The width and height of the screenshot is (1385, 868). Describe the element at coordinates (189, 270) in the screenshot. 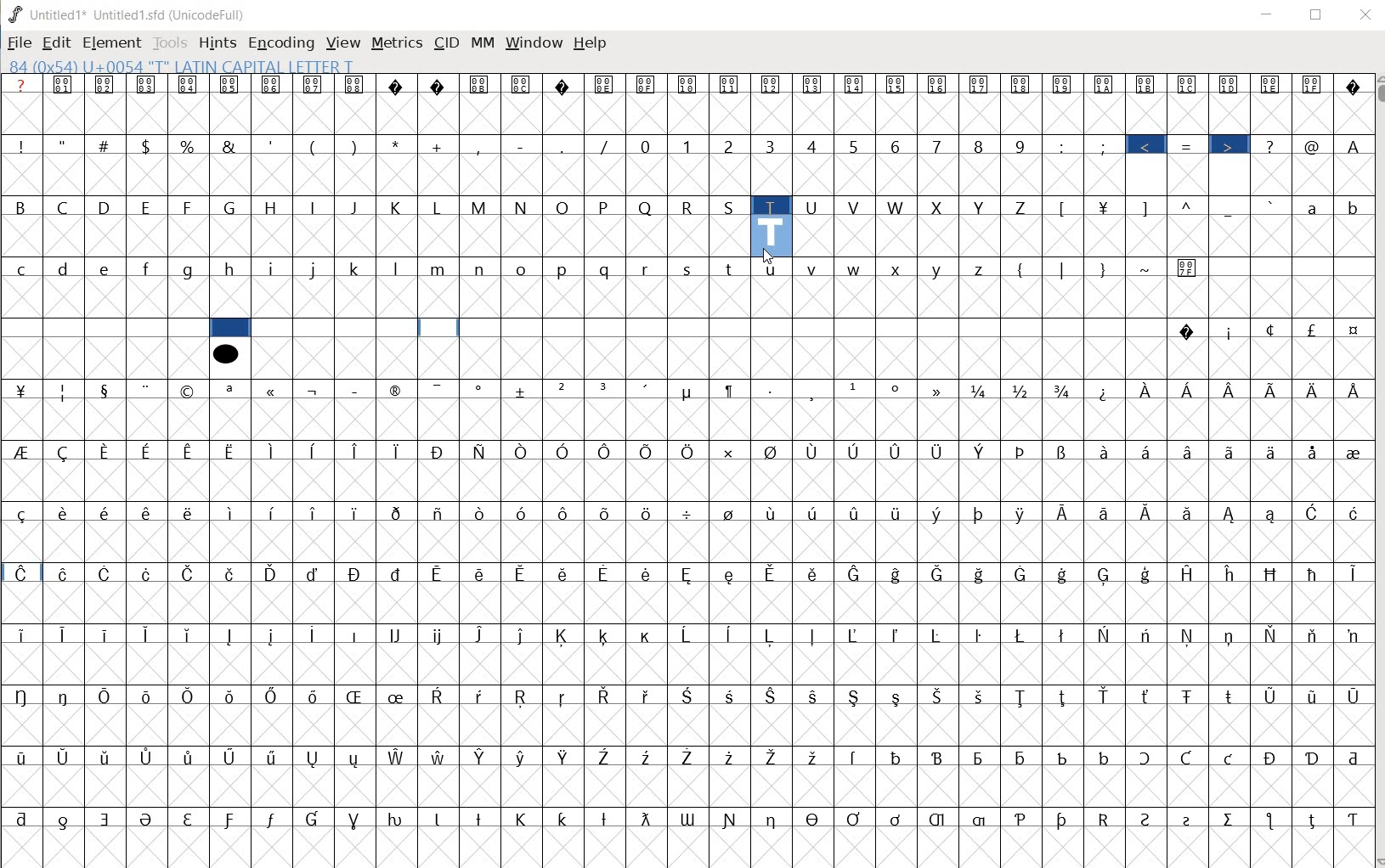

I see `g` at that location.